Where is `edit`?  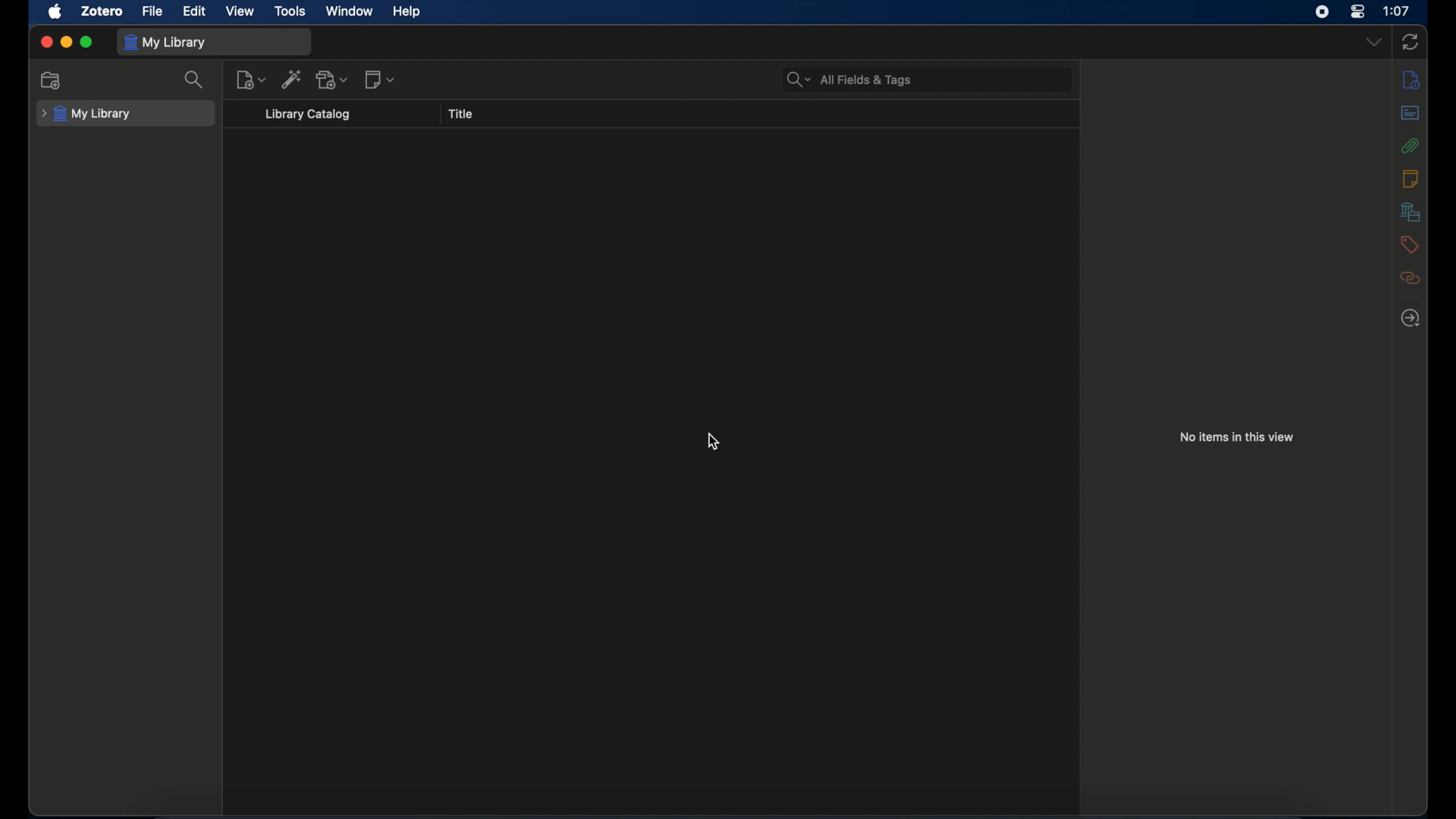
edit is located at coordinates (196, 11).